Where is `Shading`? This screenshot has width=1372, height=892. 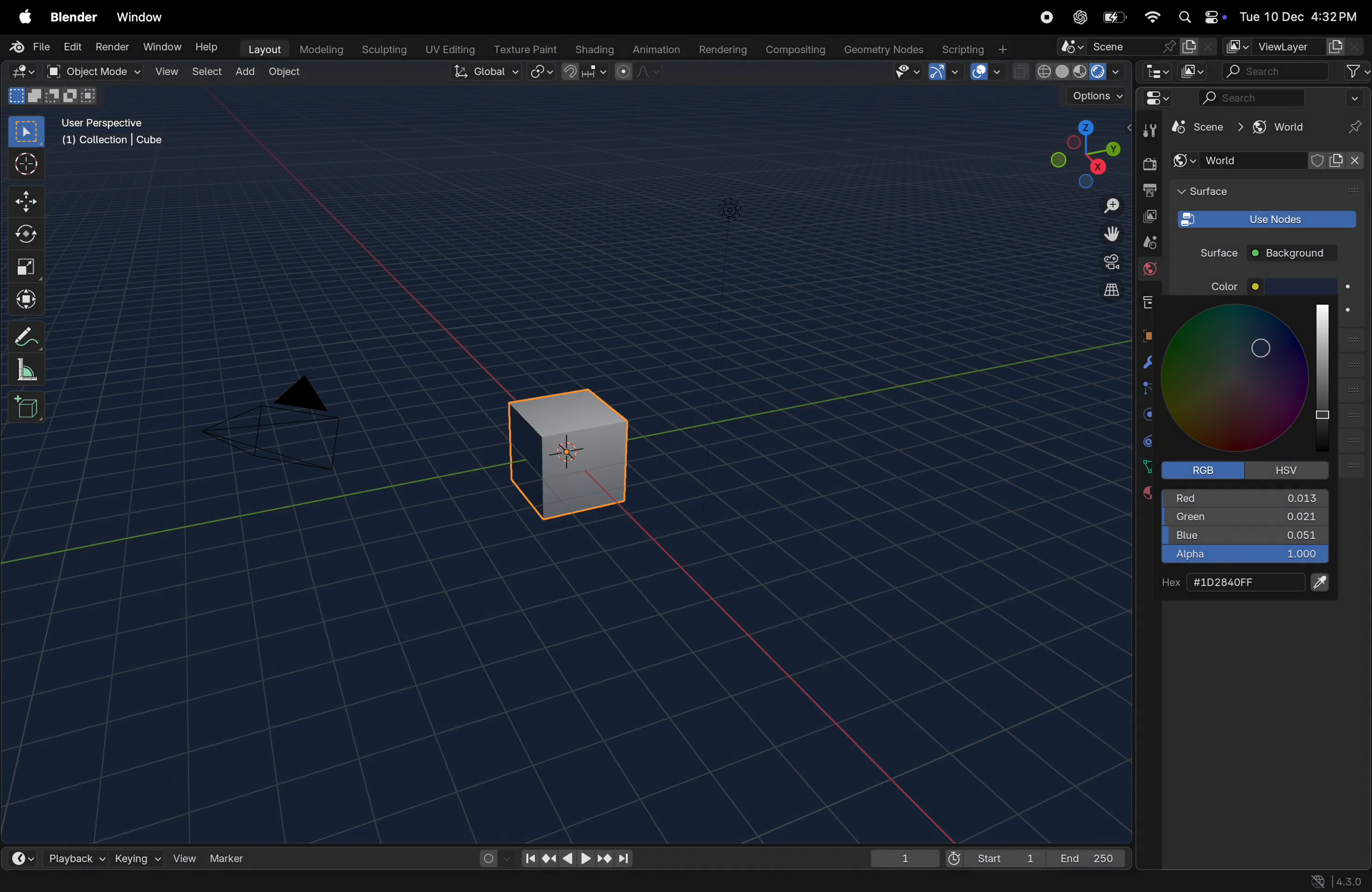 Shading is located at coordinates (592, 49).